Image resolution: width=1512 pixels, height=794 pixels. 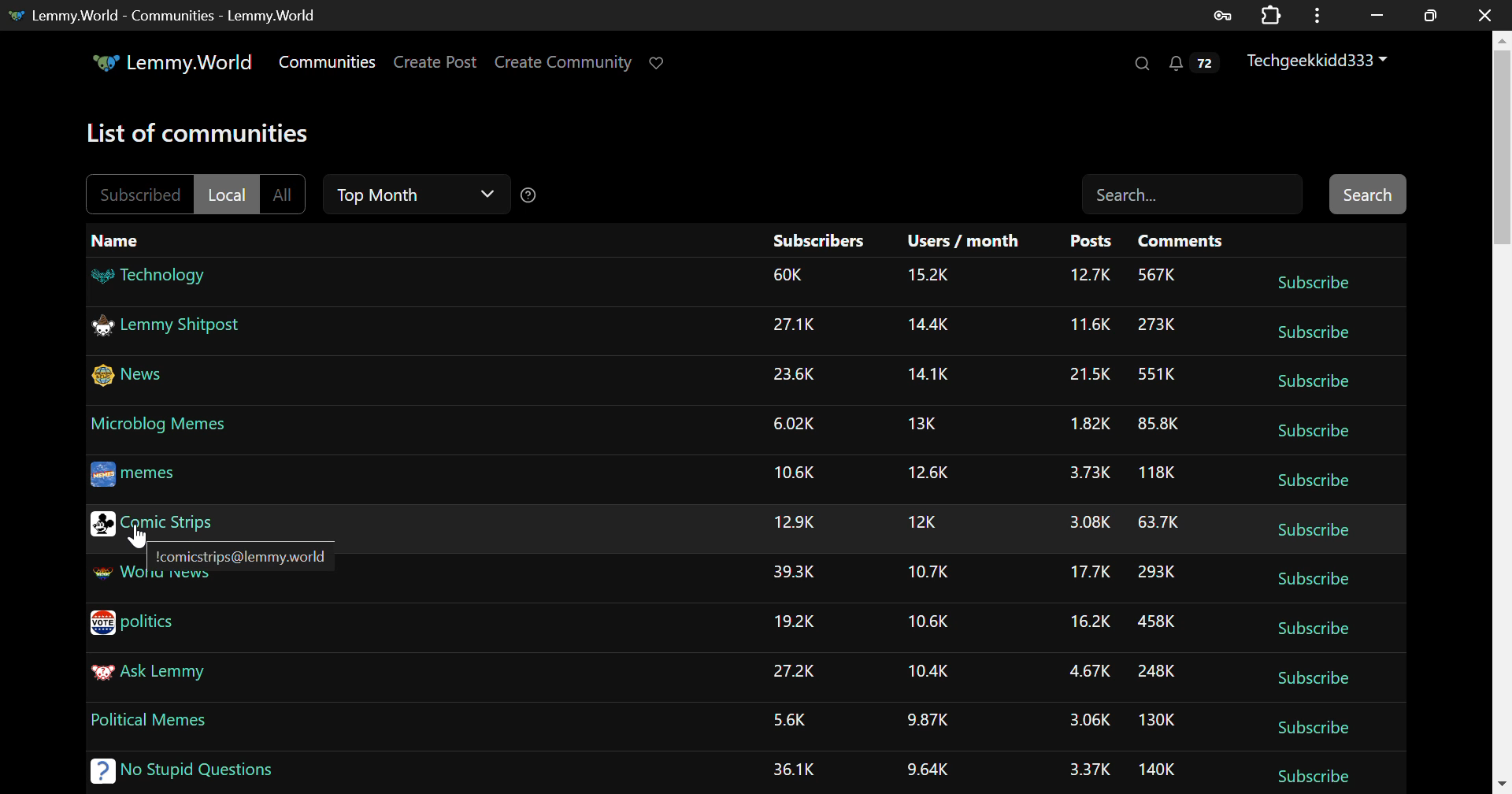 What do you see at coordinates (1274, 14) in the screenshot?
I see `Extensions` at bounding box center [1274, 14].